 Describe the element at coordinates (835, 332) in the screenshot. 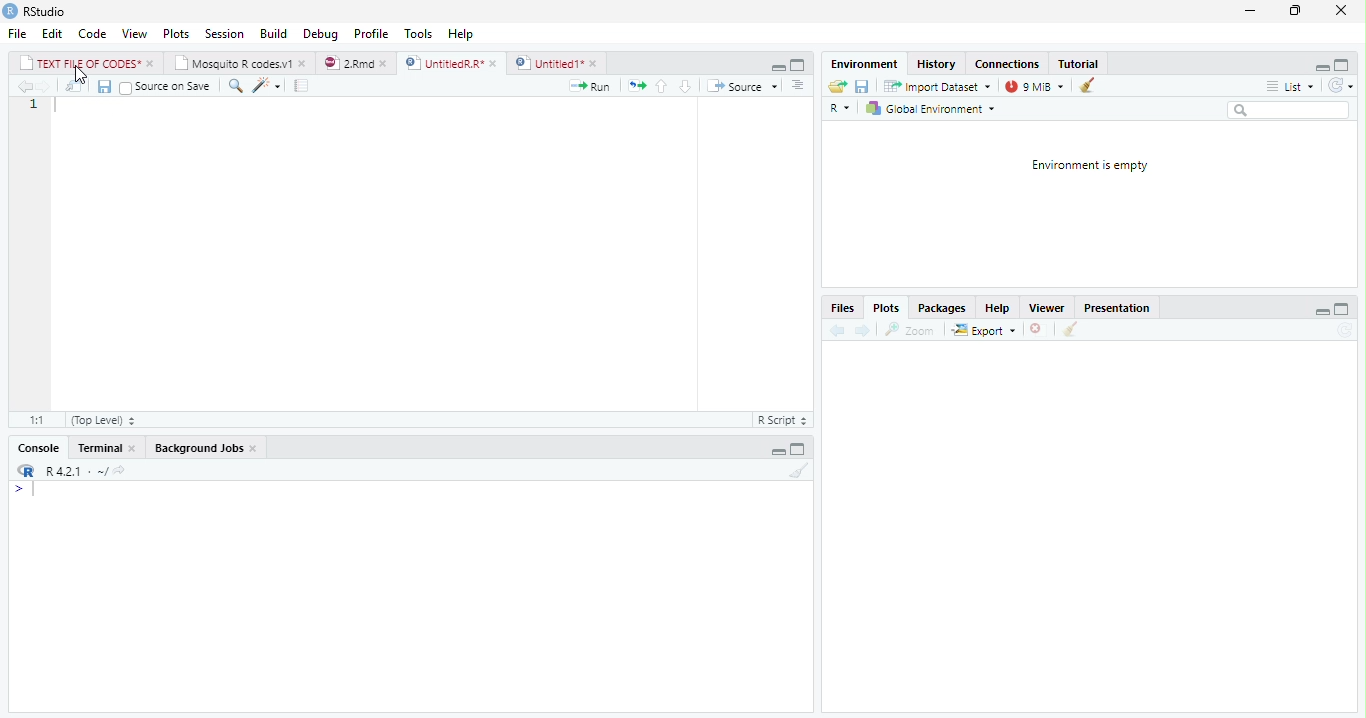

I see `go back` at that location.